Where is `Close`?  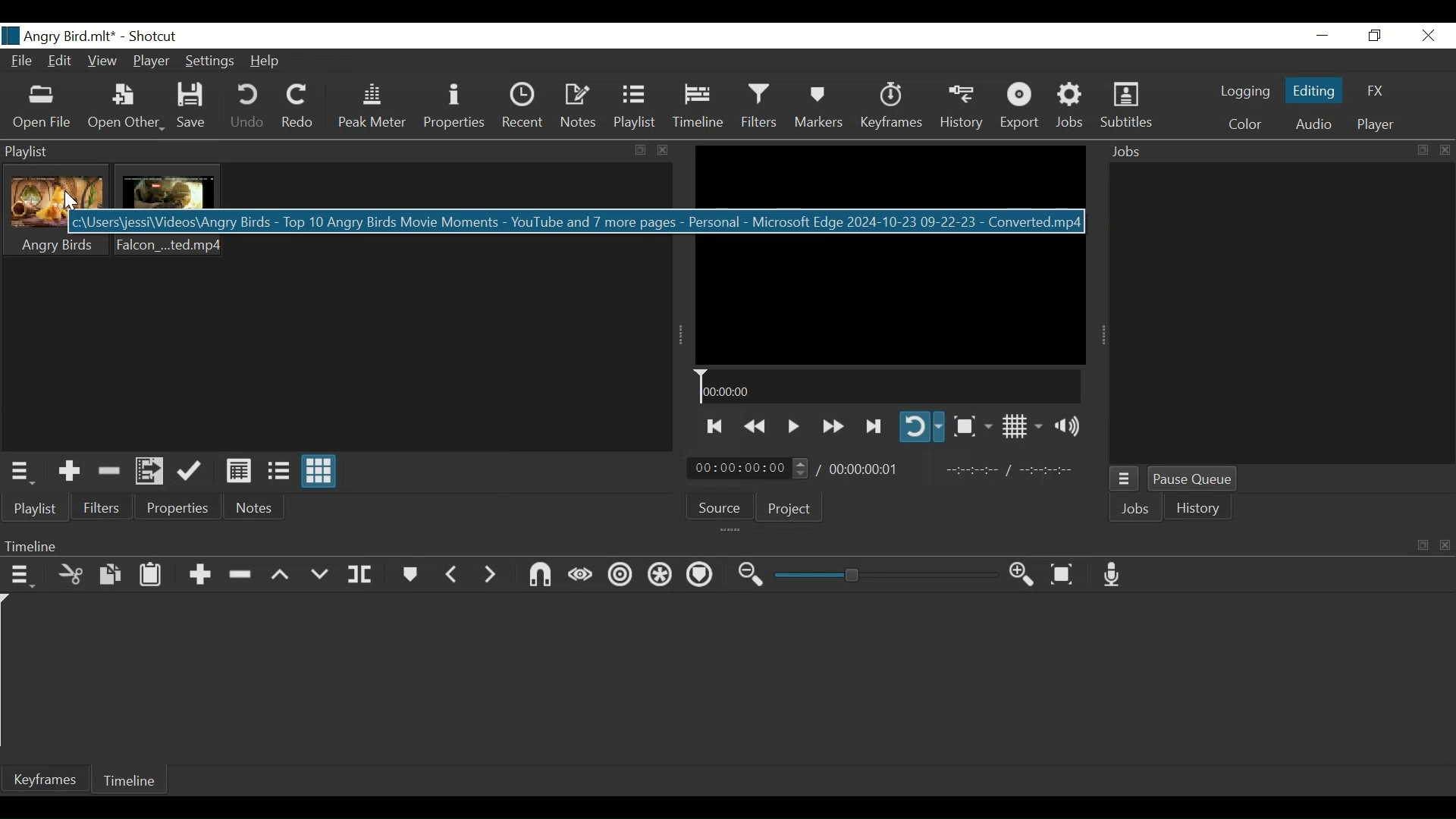 Close is located at coordinates (1428, 36).